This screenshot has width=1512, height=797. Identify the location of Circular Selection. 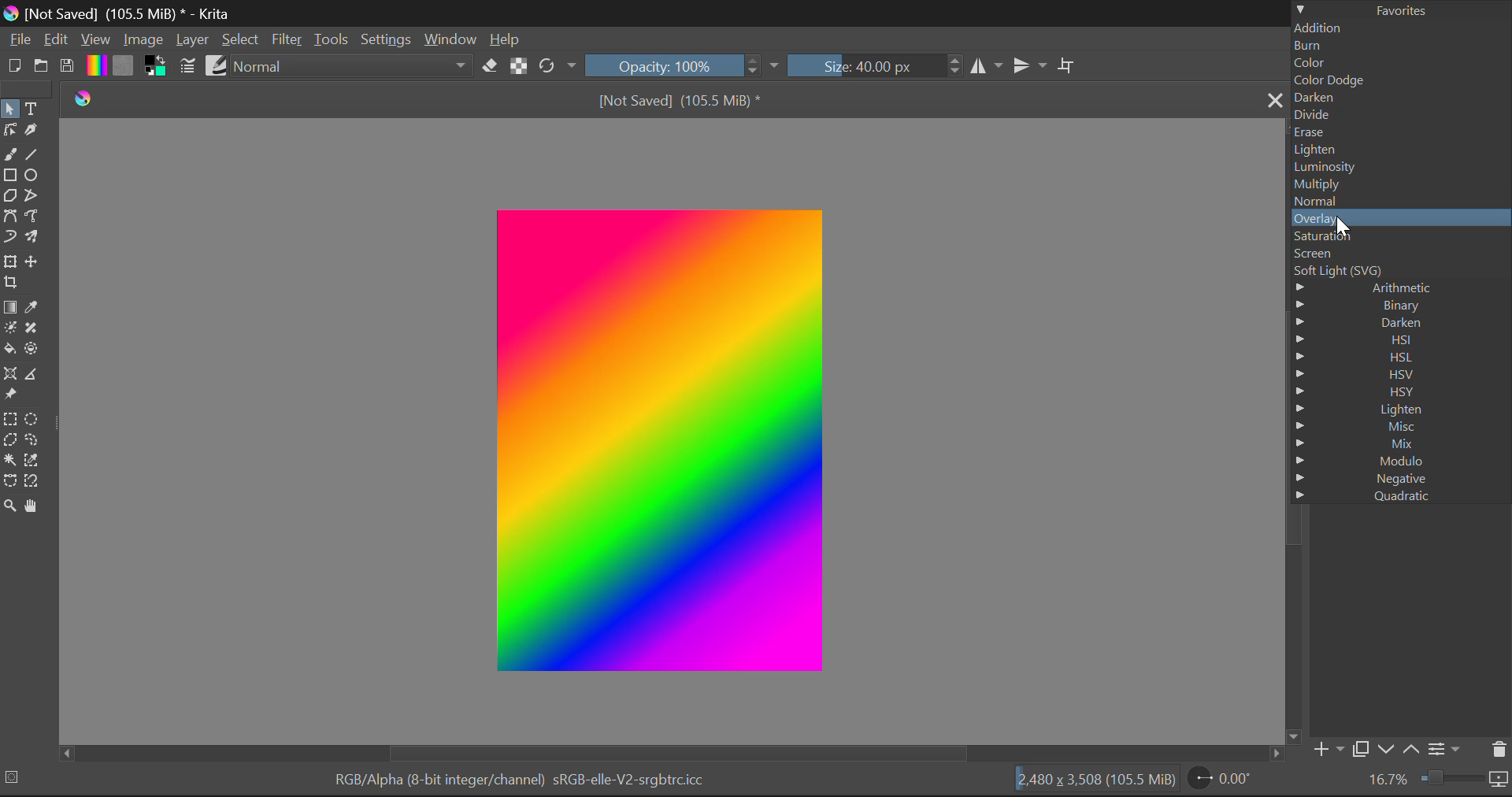
(34, 418).